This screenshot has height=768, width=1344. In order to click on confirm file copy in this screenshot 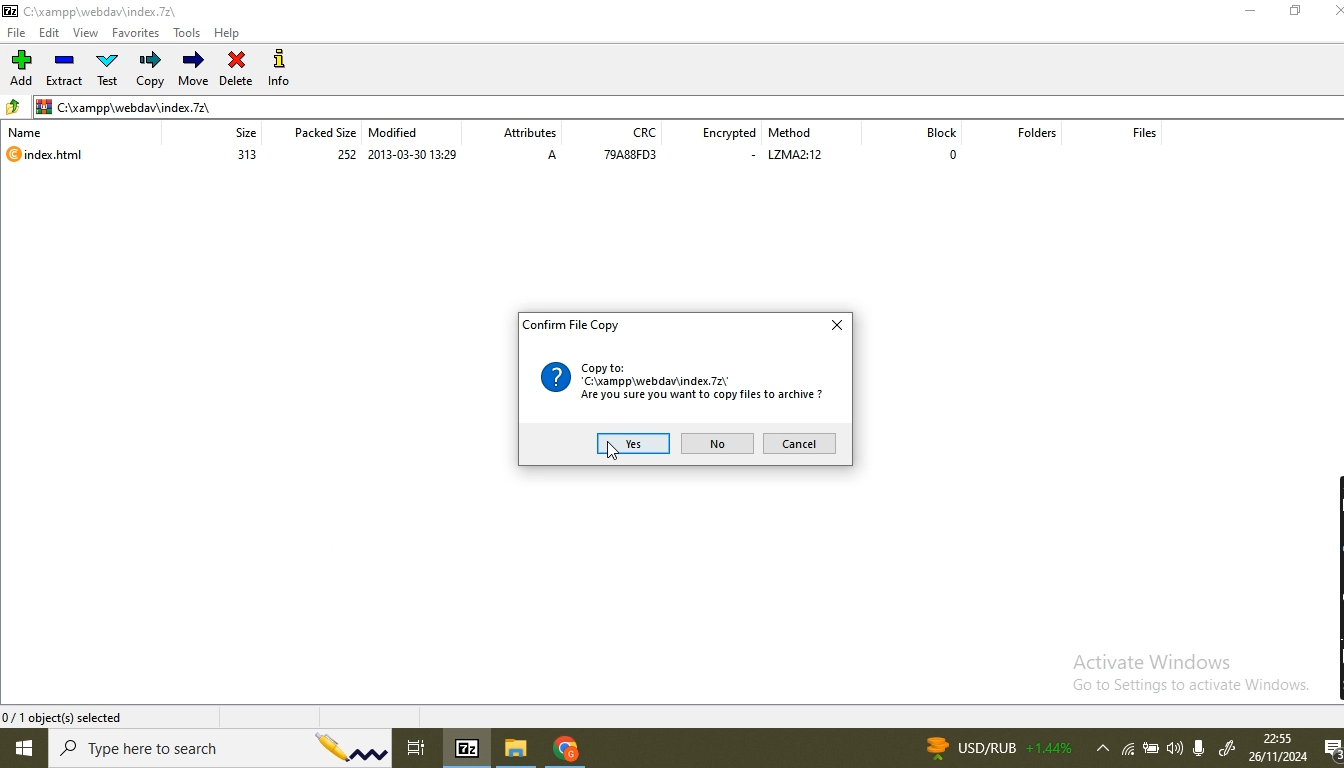, I will do `click(573, 330)`.